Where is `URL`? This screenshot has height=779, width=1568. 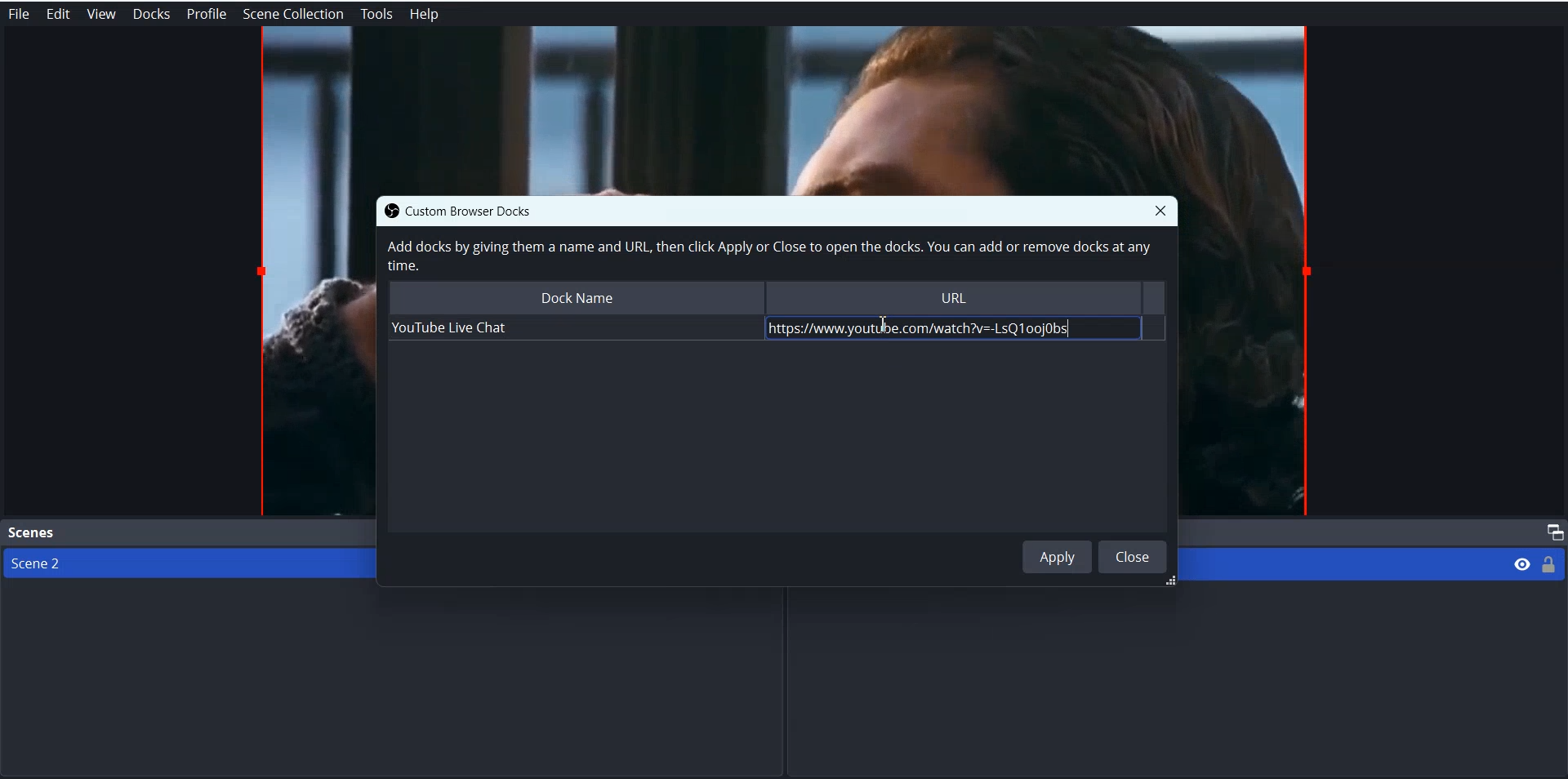 URL is located at coordinates (955, 296).